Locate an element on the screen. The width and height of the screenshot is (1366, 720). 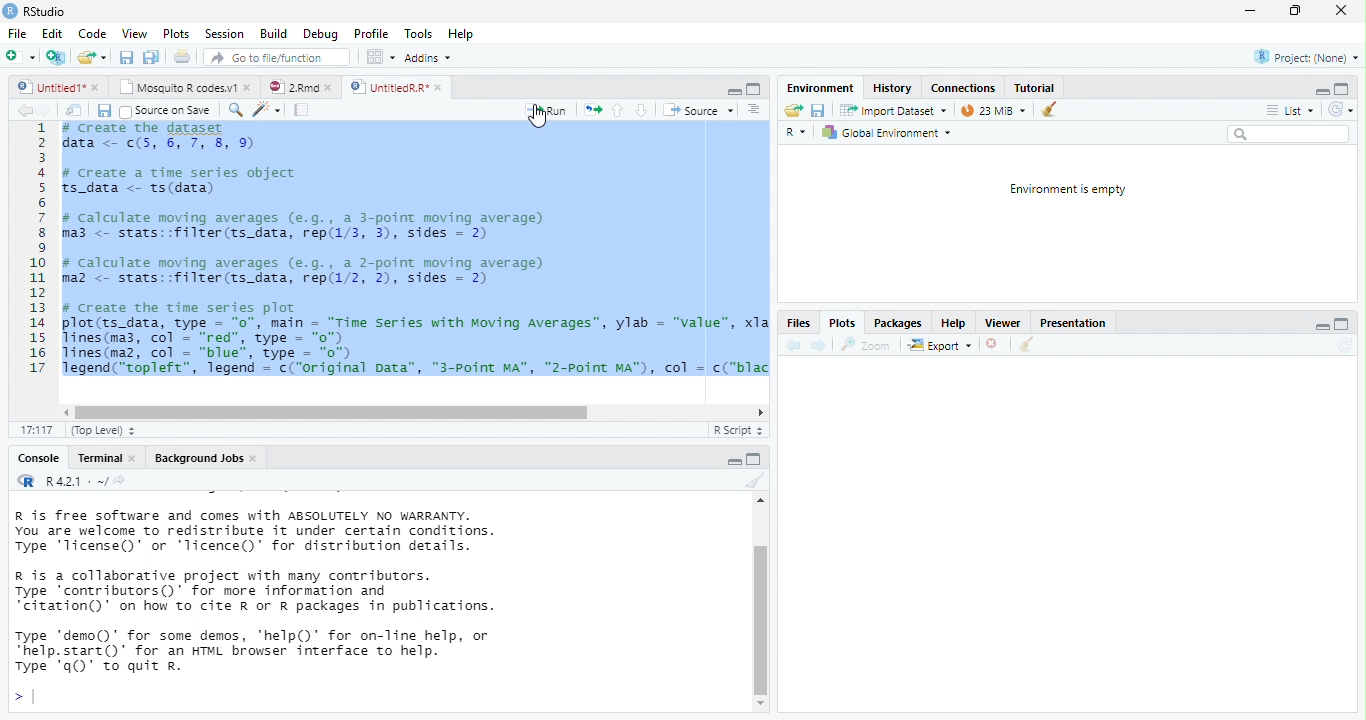
zoom is located at coordinates (869, 345).